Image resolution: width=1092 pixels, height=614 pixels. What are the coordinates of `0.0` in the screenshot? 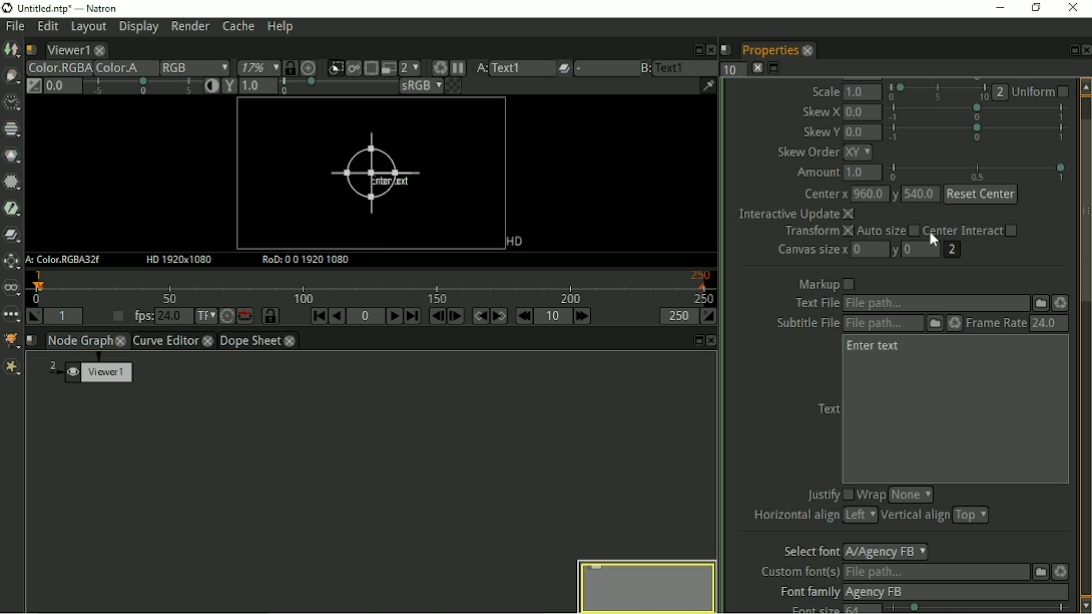 It's located at (862, 132).